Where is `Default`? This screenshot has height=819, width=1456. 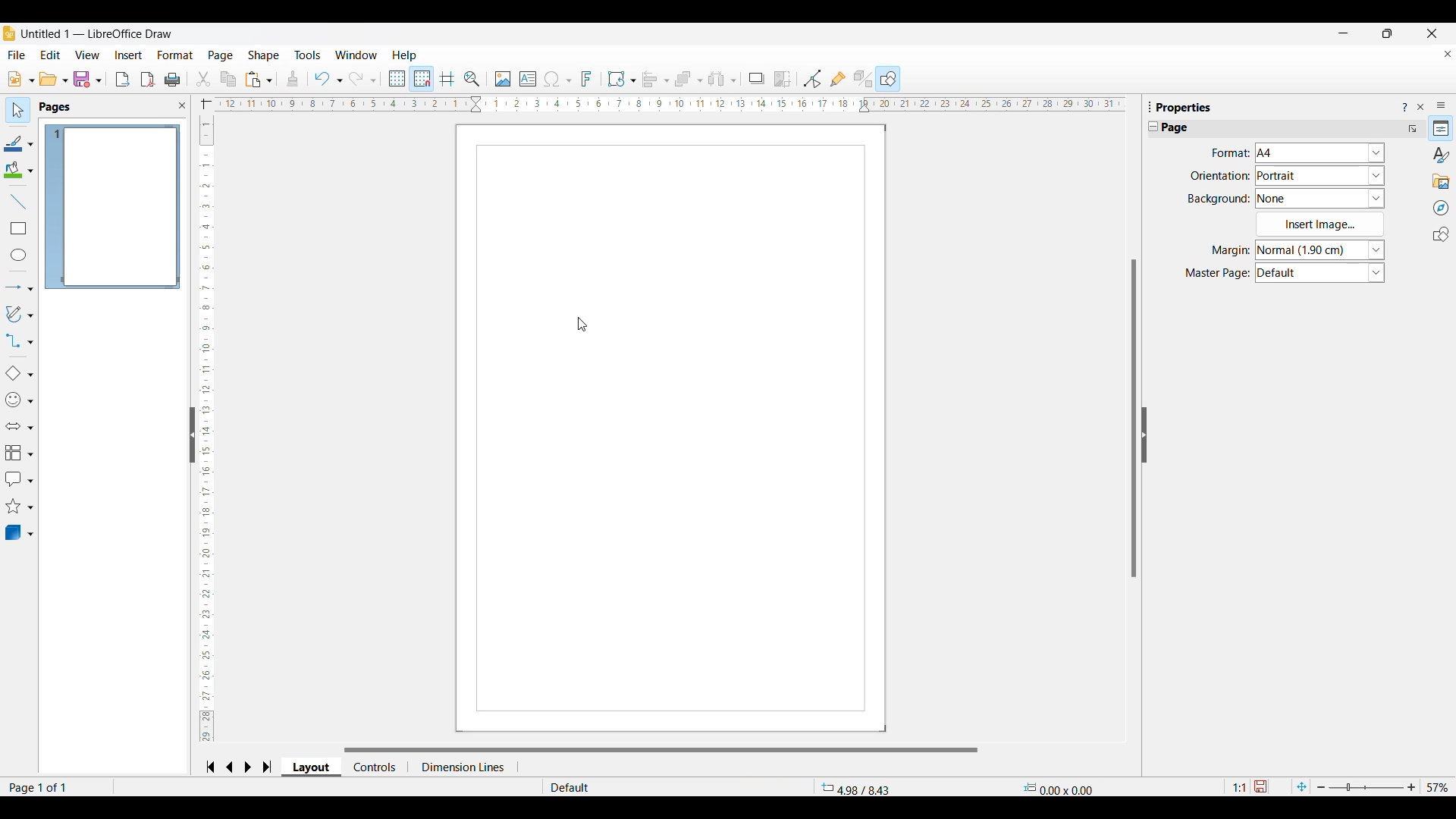 Default is located at coordinates (1322, 273).